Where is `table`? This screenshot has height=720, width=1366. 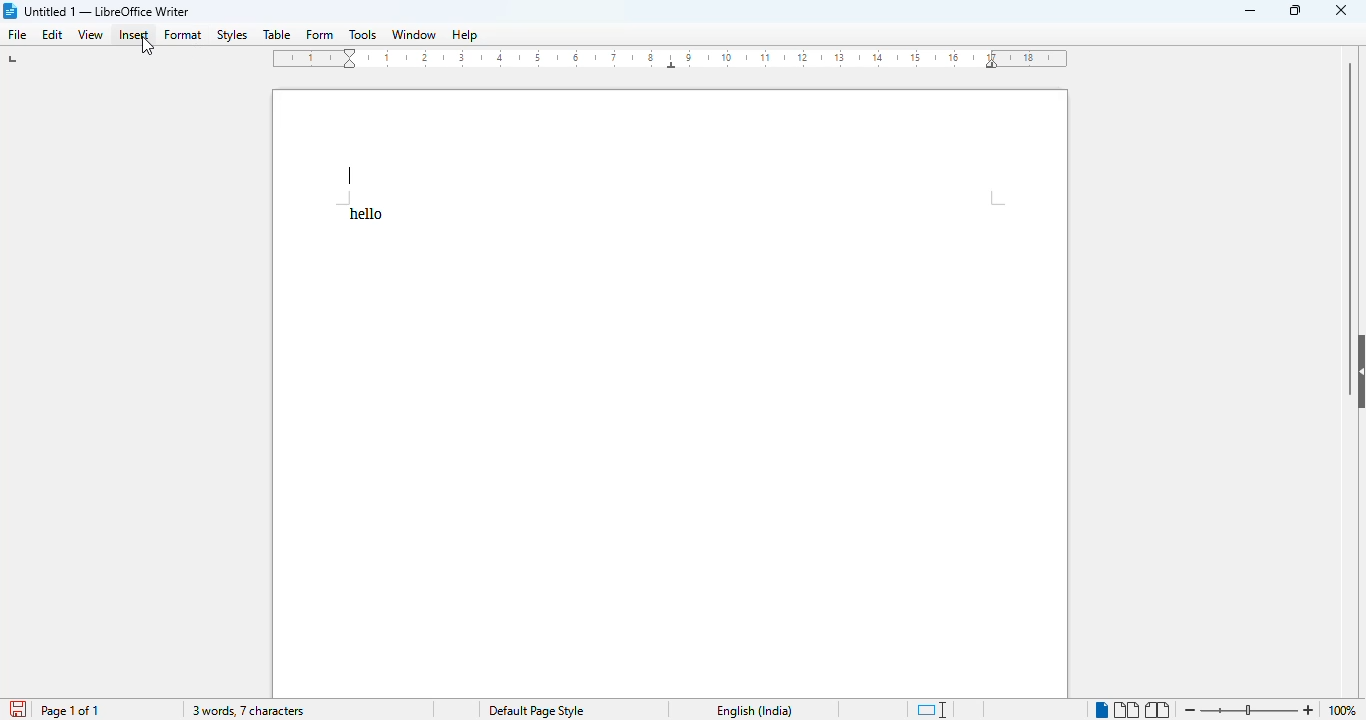
table is located at coordinates (277, 34).